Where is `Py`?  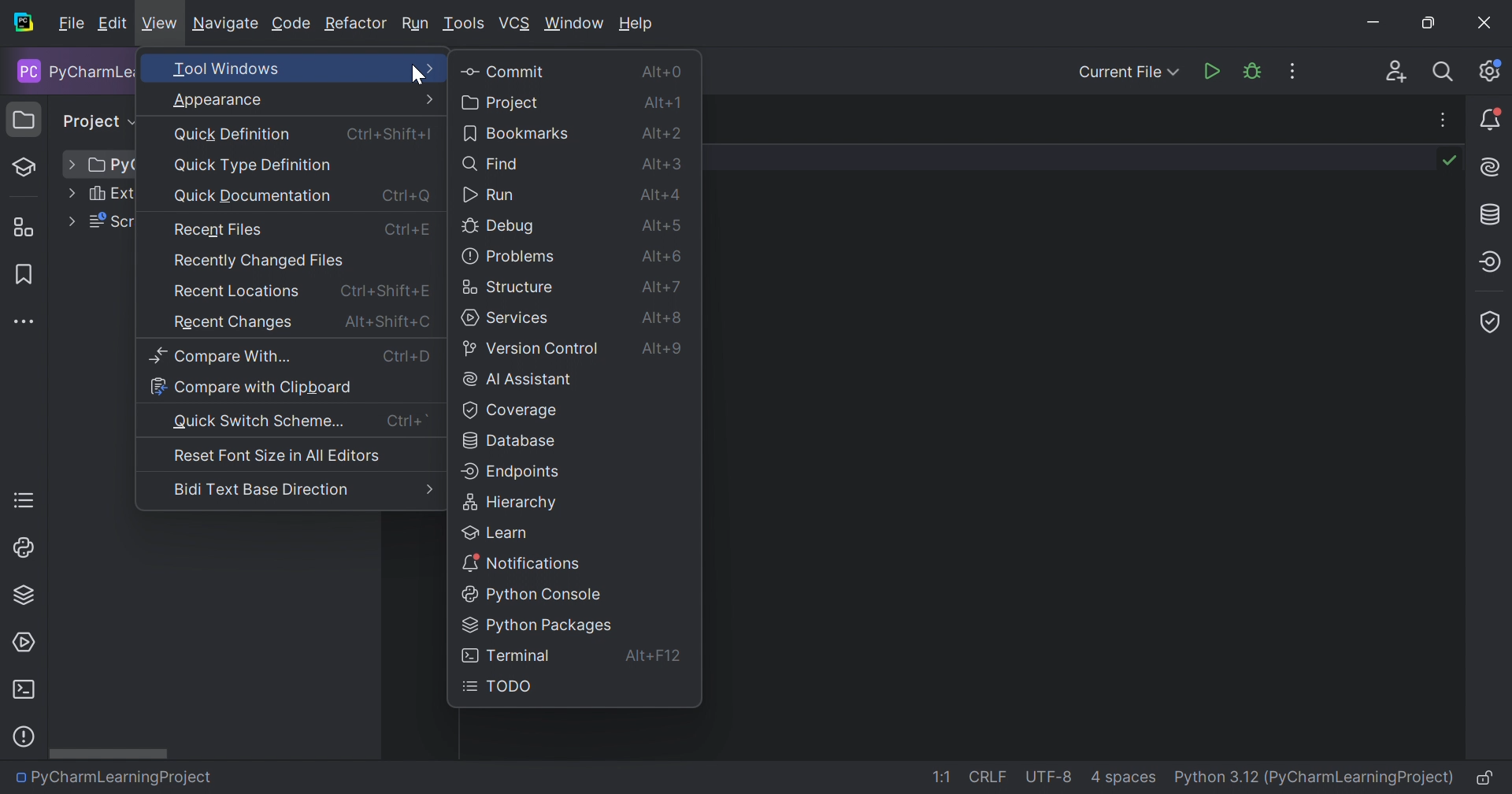
Py is located at coordinates (111, 165).